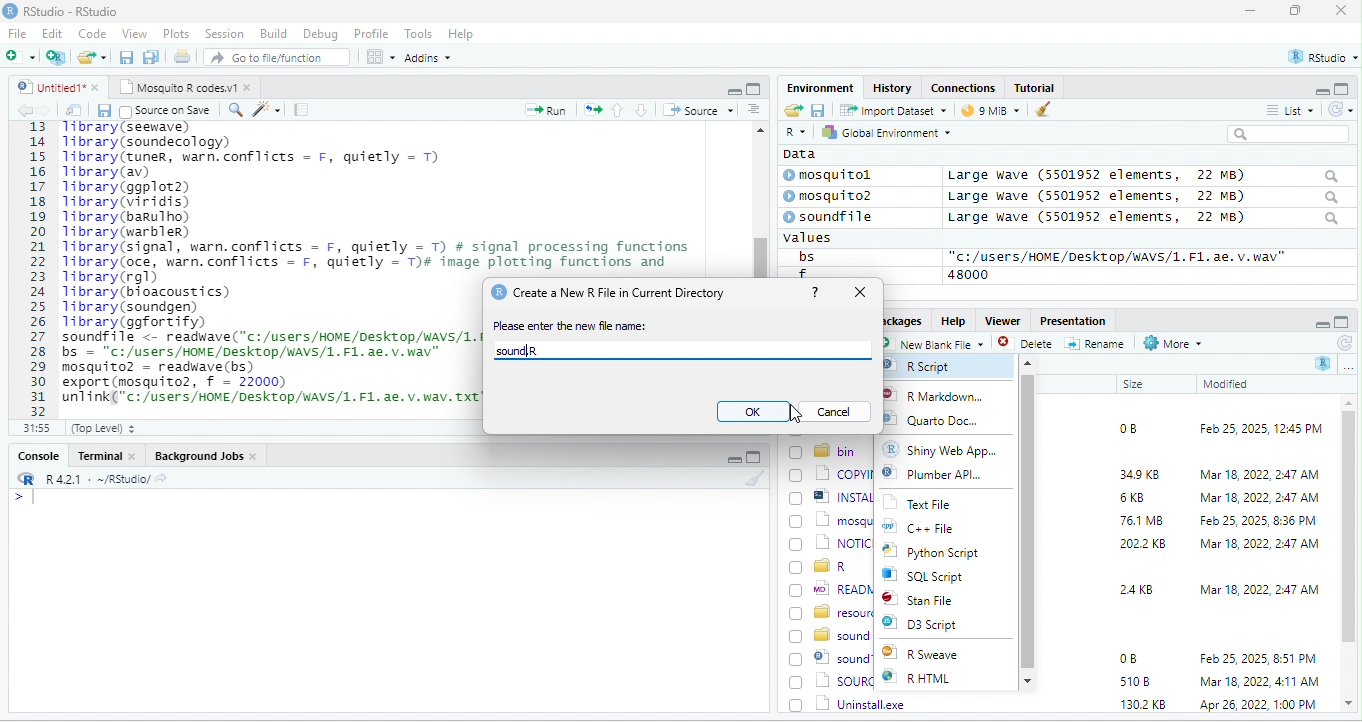  Describe the element at coordinates (20, 500) in the screenshot. I see `syntax` at that location.